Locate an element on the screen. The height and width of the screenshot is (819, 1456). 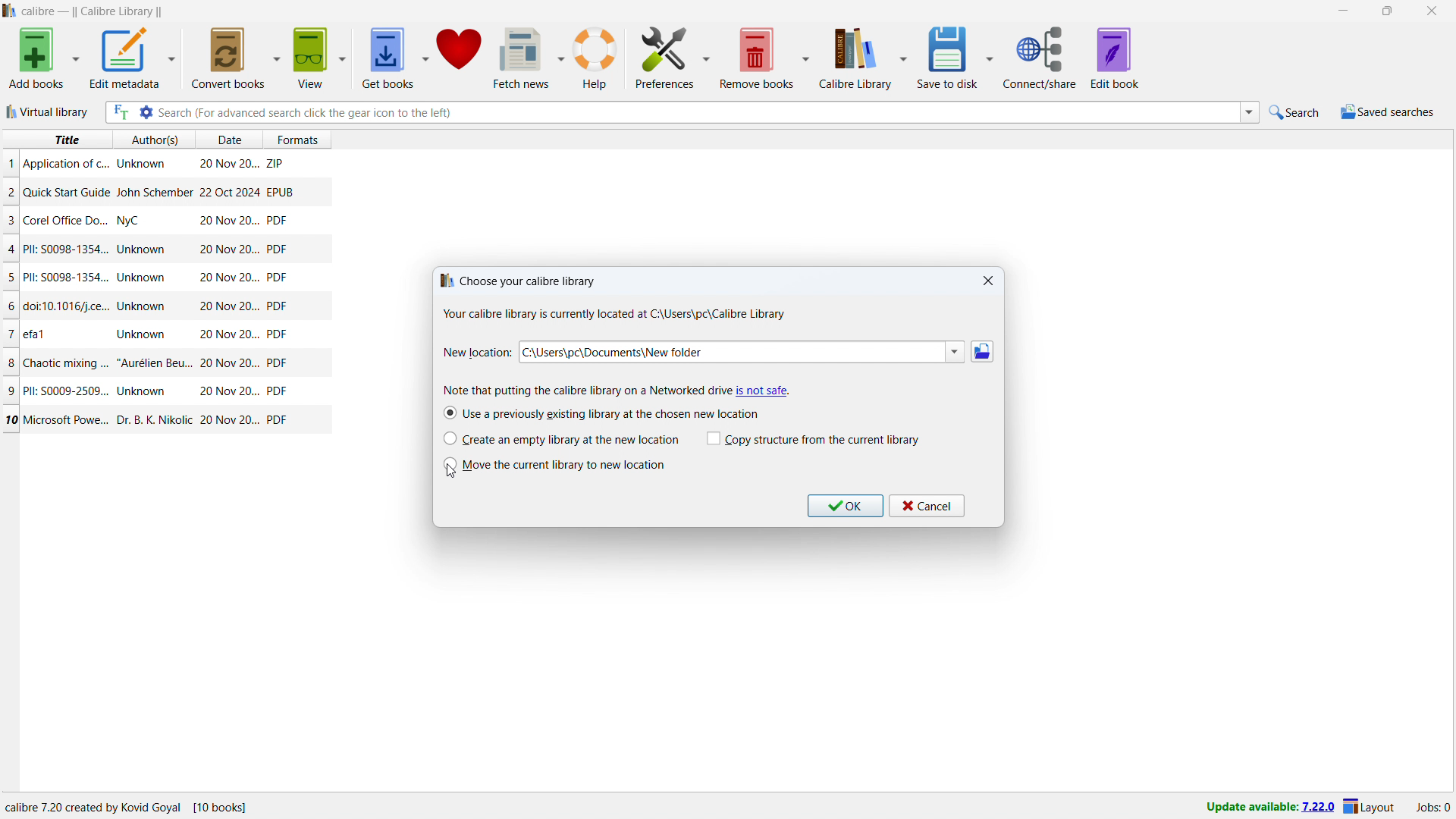
view options is located at coordinates (344, 58).